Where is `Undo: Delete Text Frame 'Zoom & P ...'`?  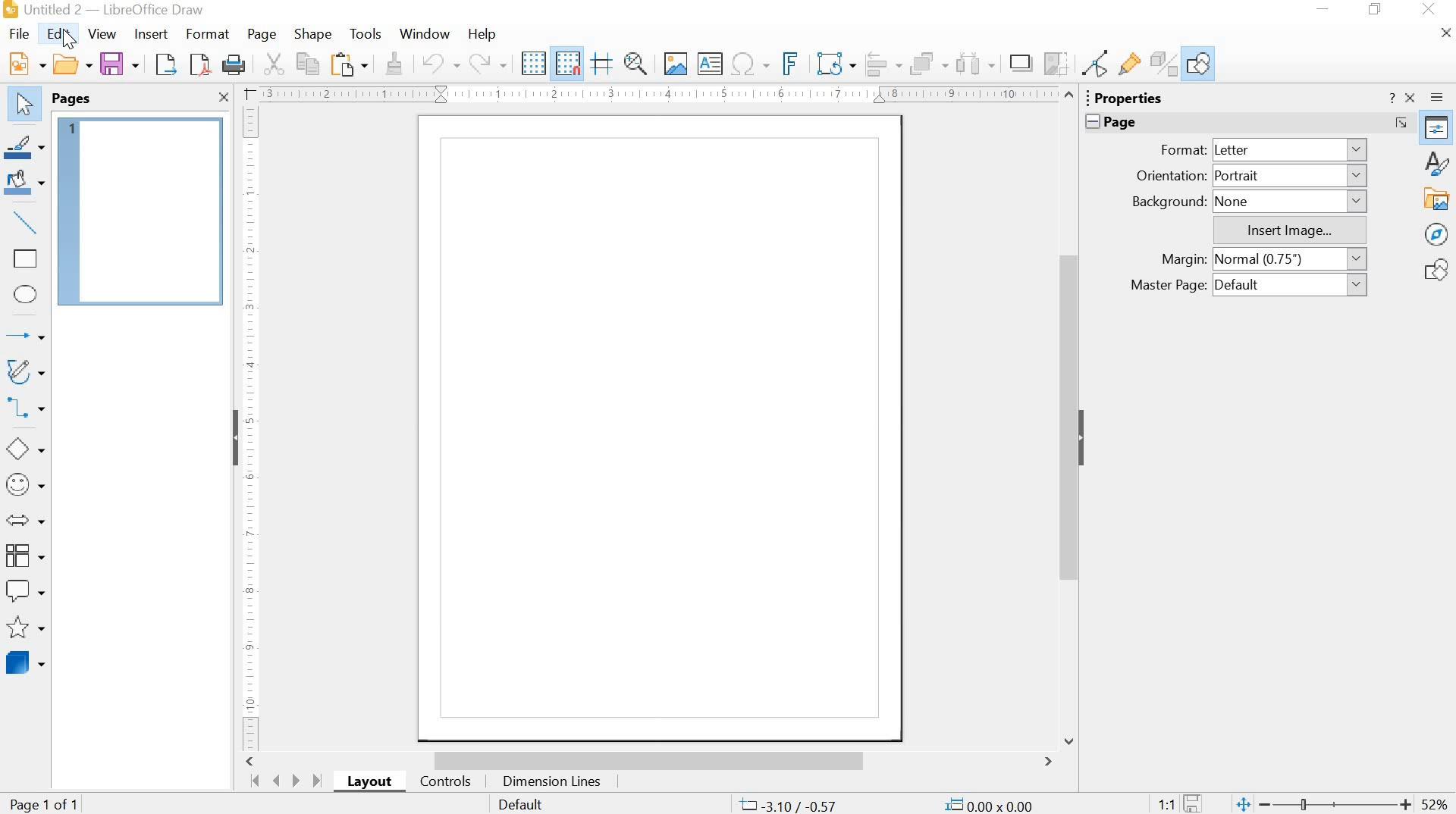 Undo: Delete Text Frame 'Zoom & P ...' is located at coordinates (441, 61).